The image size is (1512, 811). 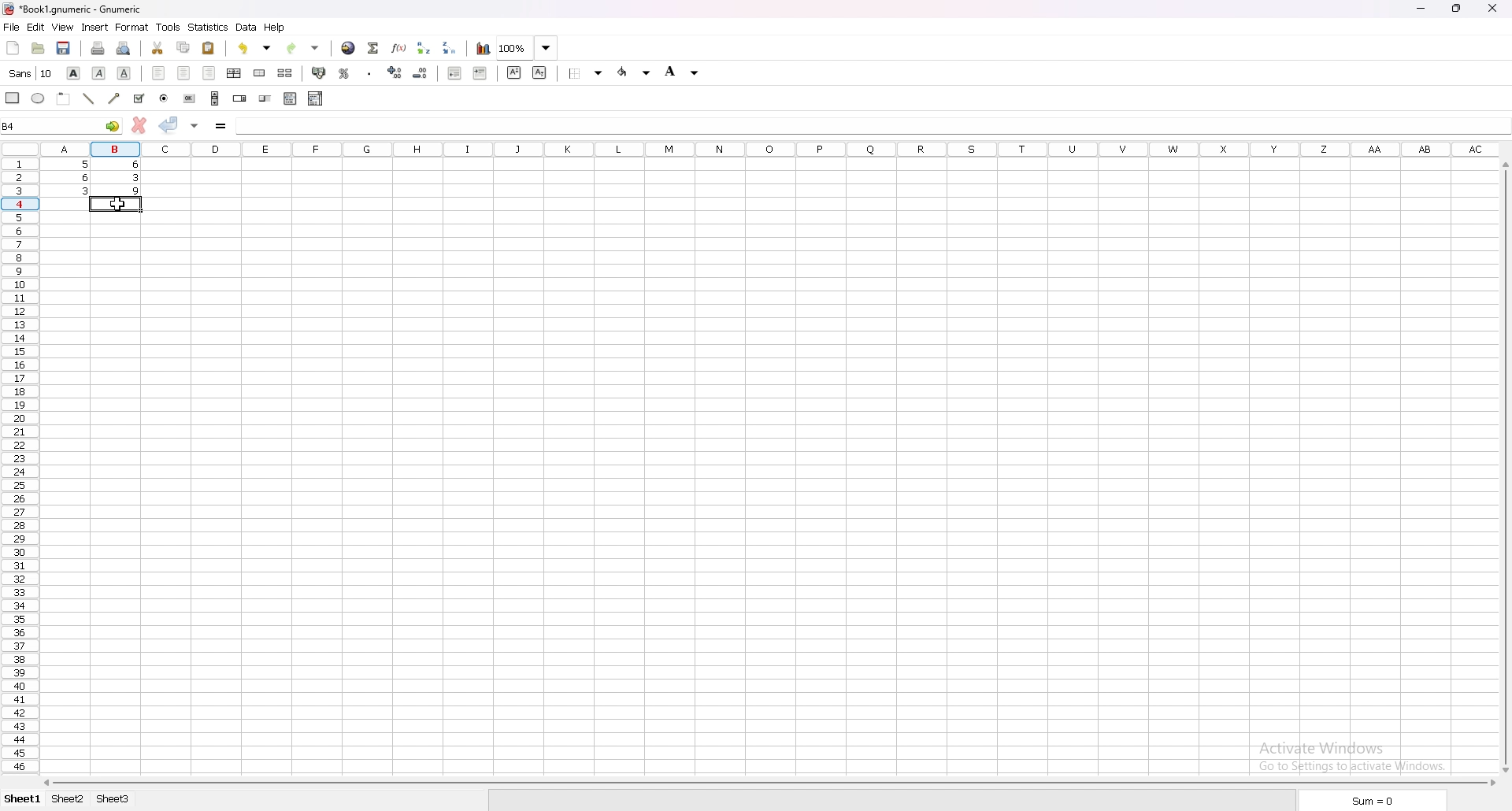 What do you see at coordinates (157, 74) in the screenshot?
I see `align left` at bounding box center [157, 74].